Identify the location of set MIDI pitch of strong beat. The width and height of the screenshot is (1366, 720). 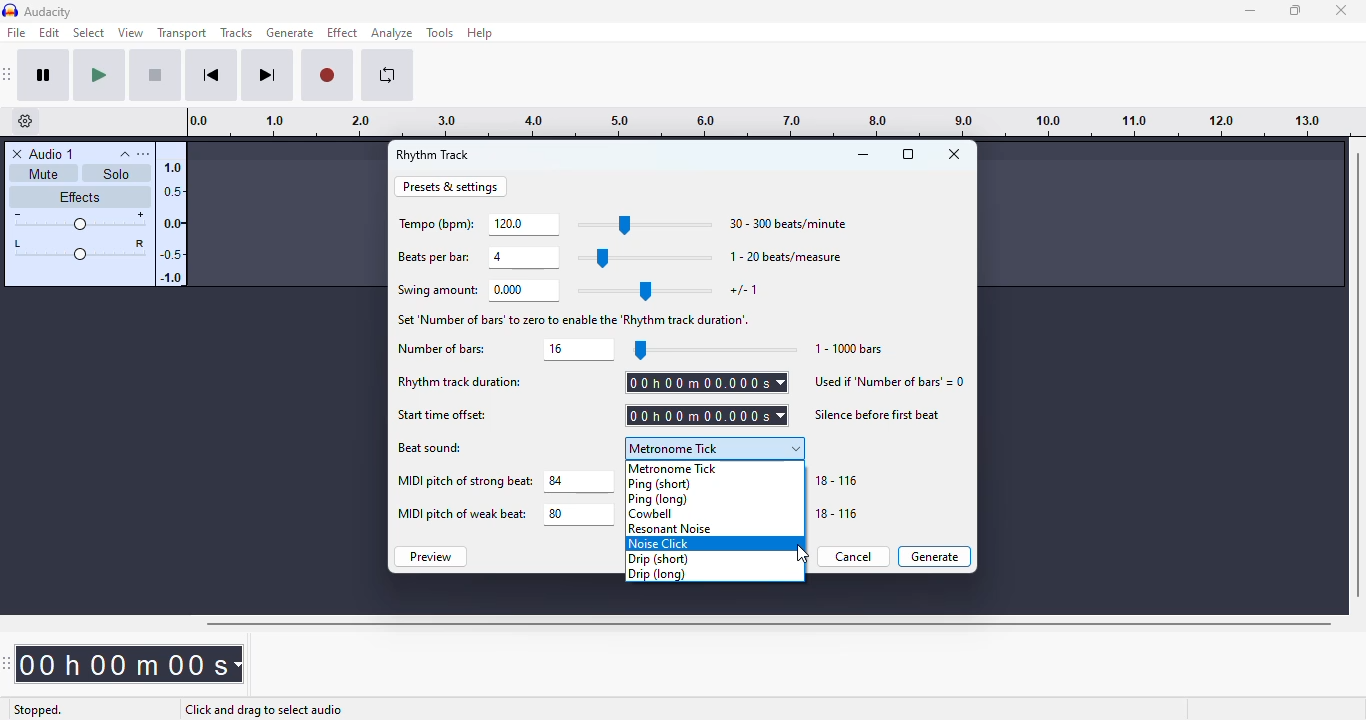
(581, 482).